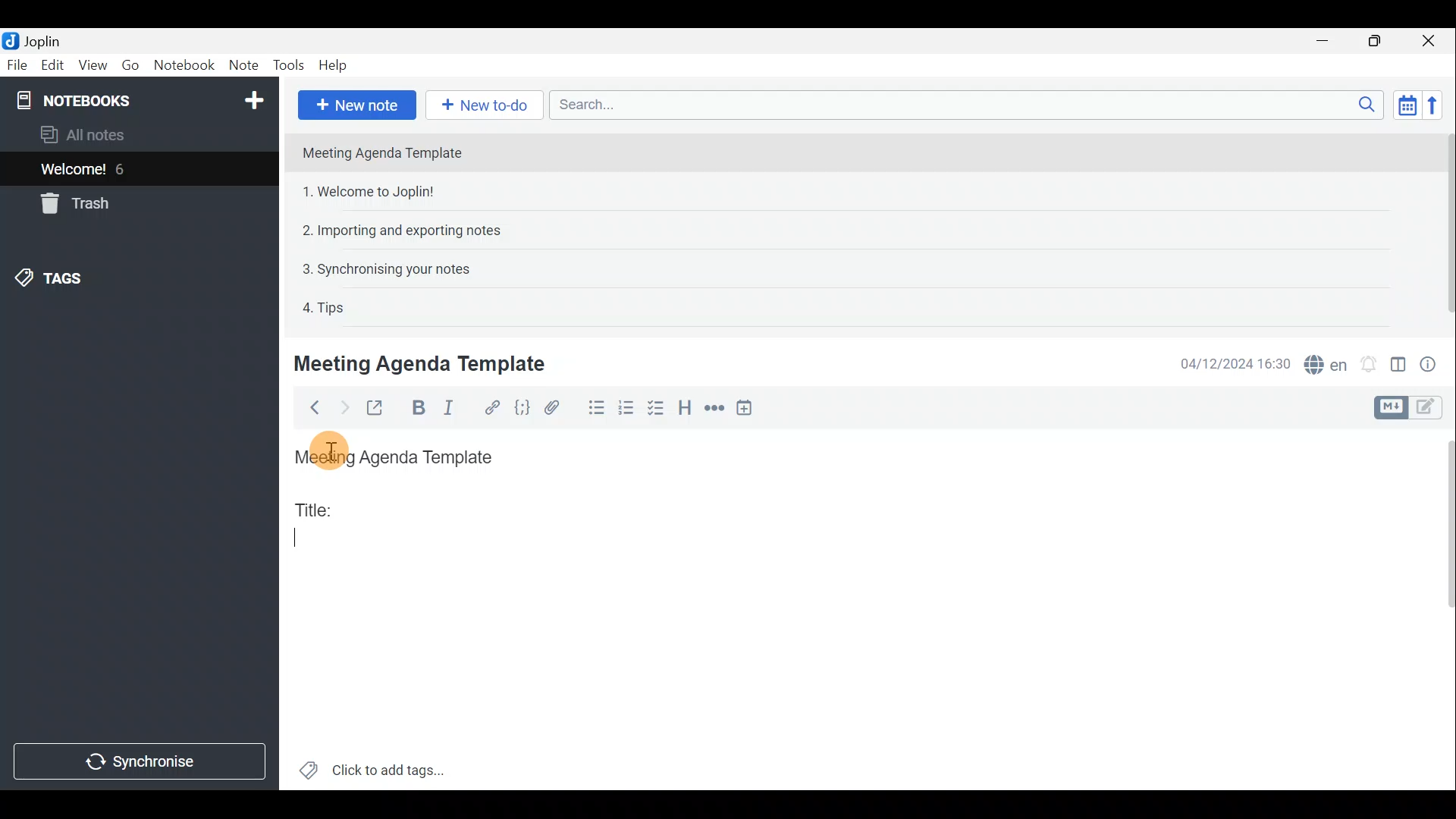  I want to click on Code, so click(525, 410).